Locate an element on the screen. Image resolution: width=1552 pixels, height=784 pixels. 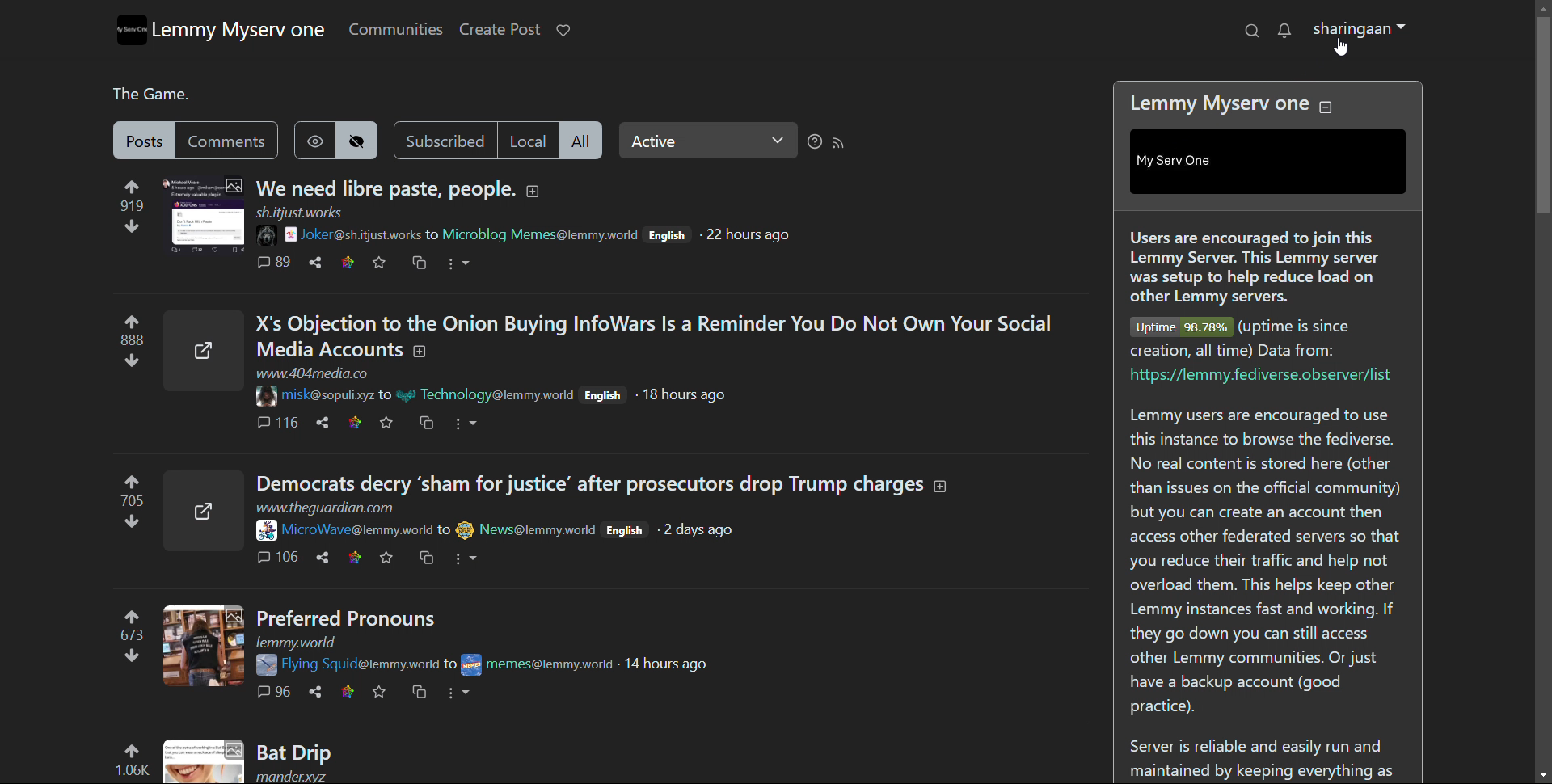
upvotes is located at coordinates (129, 615).